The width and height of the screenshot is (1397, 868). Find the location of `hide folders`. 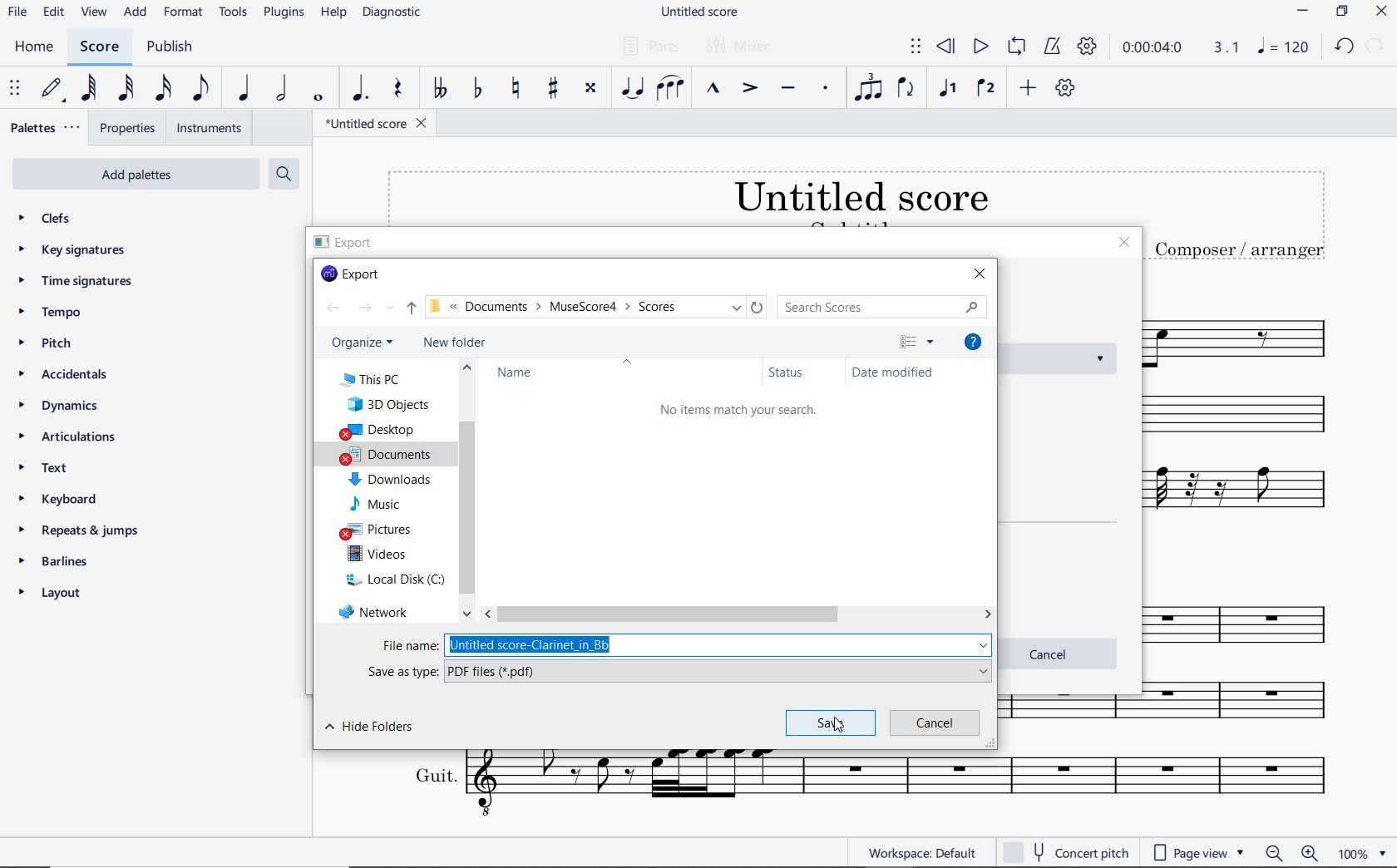

hide folders is located at coordinates (375, 729).